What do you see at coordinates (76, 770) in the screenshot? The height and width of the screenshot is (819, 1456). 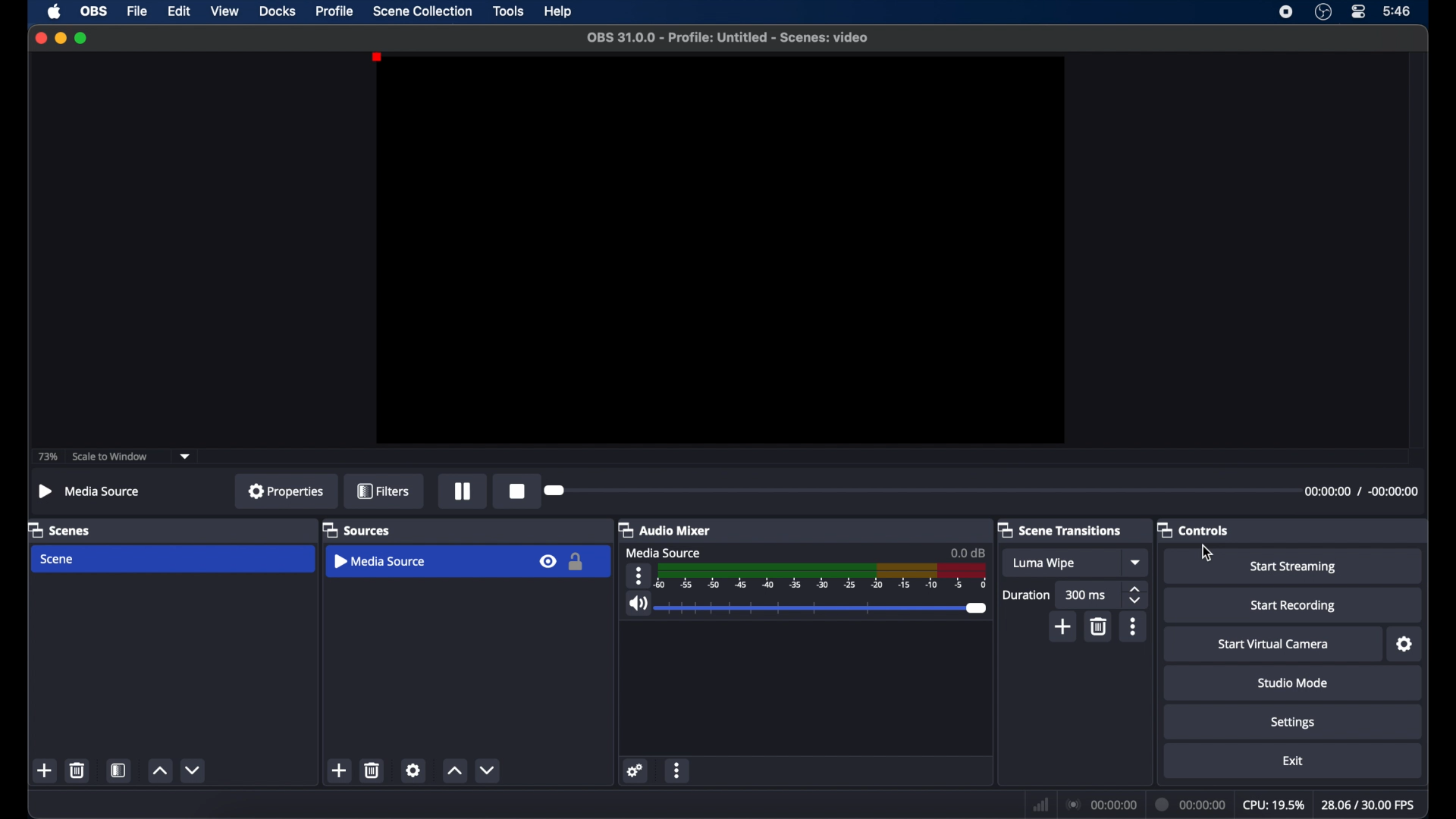 I see `delete` at bounding box center [76, 770].